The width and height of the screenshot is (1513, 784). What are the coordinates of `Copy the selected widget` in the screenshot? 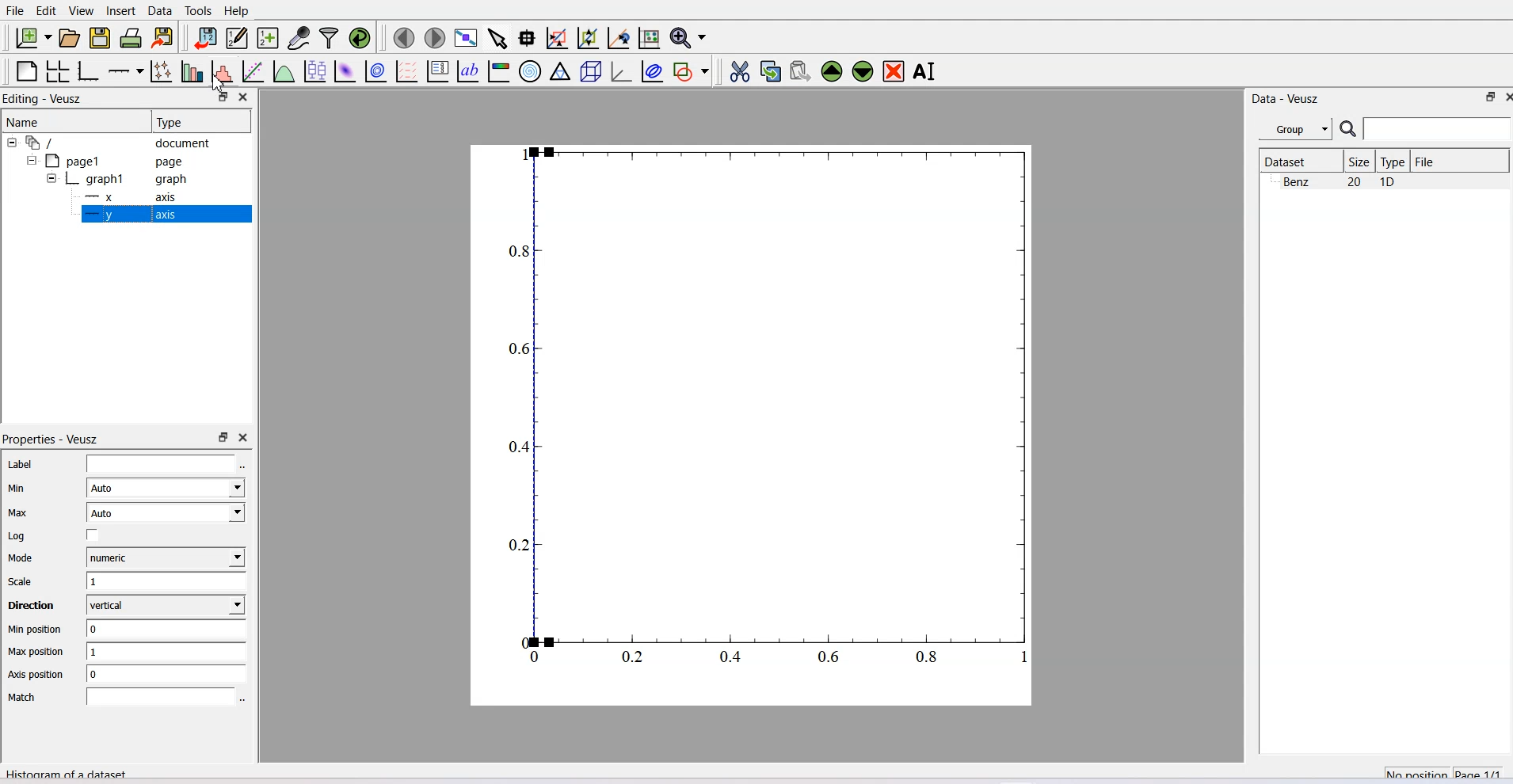 It's located at (771, 71).